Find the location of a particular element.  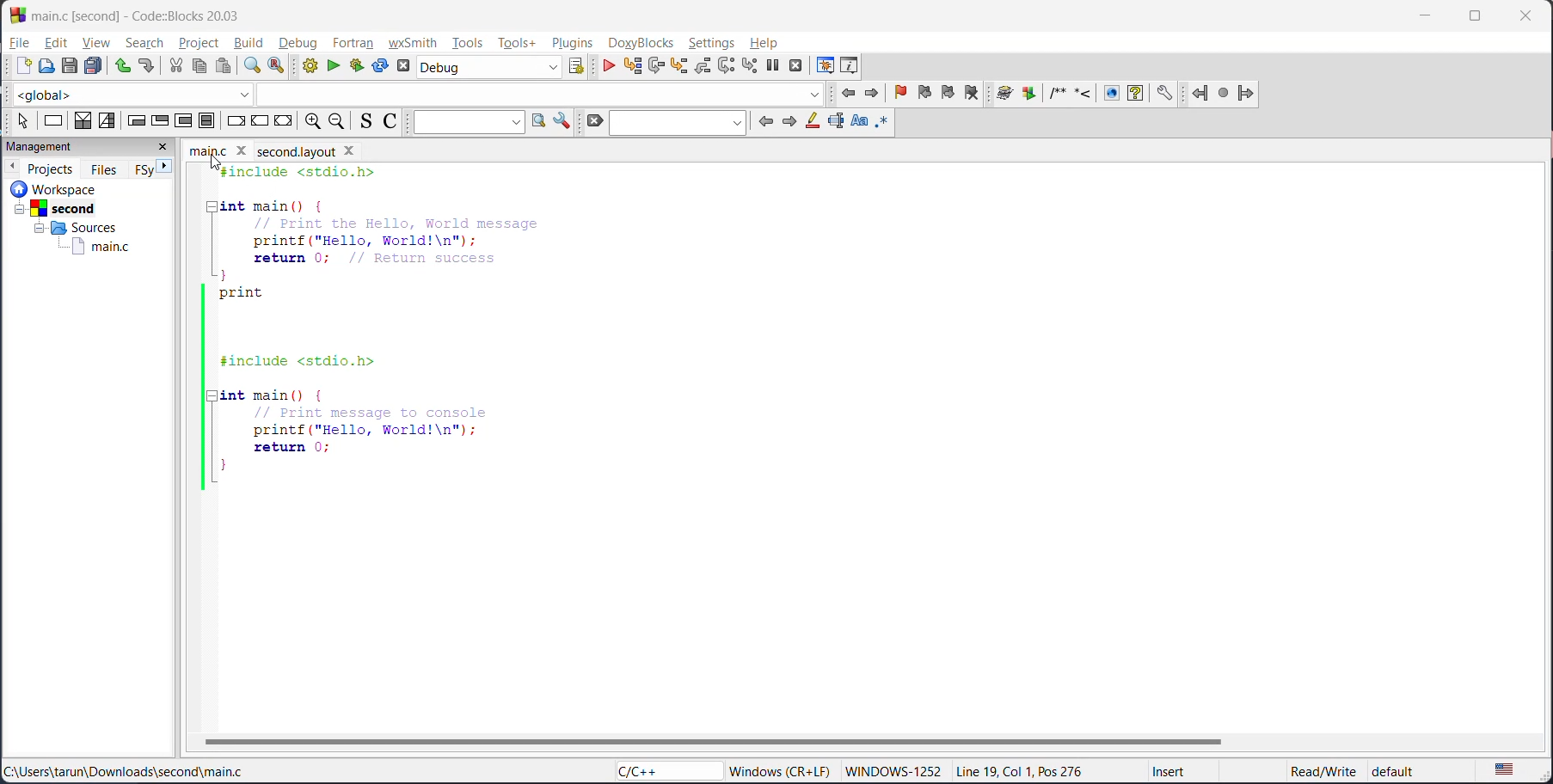

step out is located at coordinates (703, 67).